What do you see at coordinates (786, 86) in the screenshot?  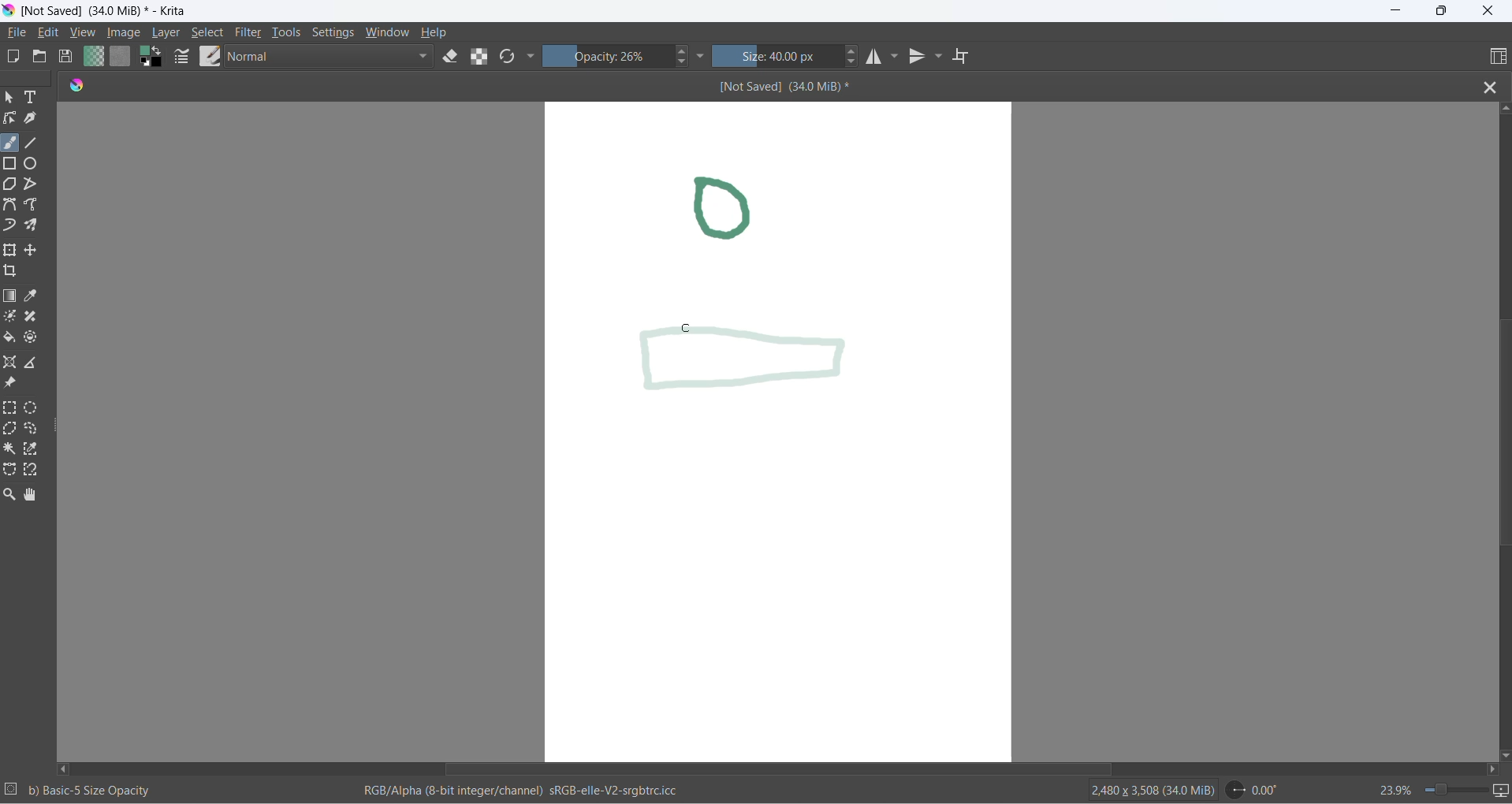 I see `[Not Saved] (340 MiB)*` at bounding box center [786, 86].